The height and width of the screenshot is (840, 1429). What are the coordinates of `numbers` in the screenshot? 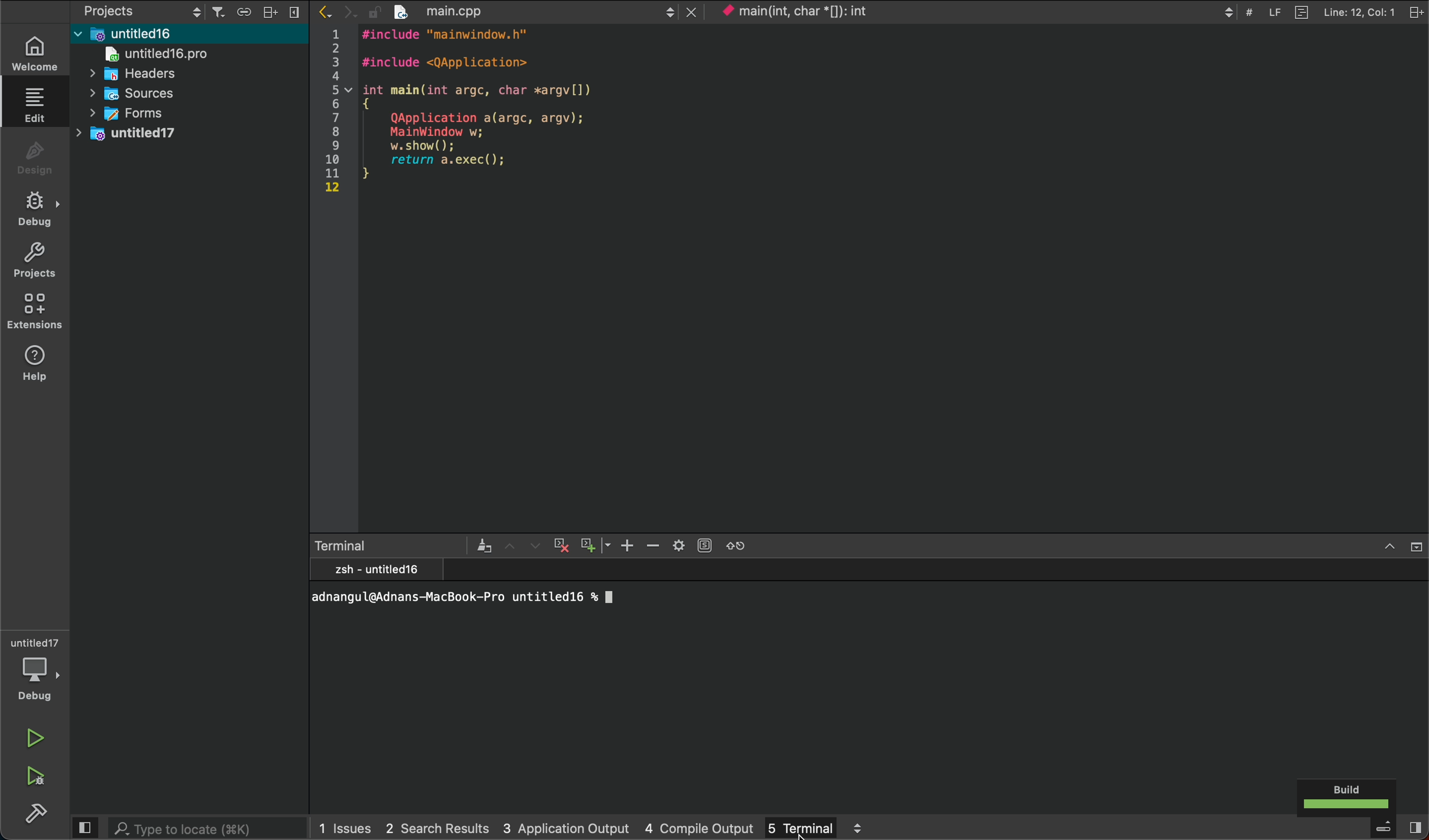 It's located at (332, 113).